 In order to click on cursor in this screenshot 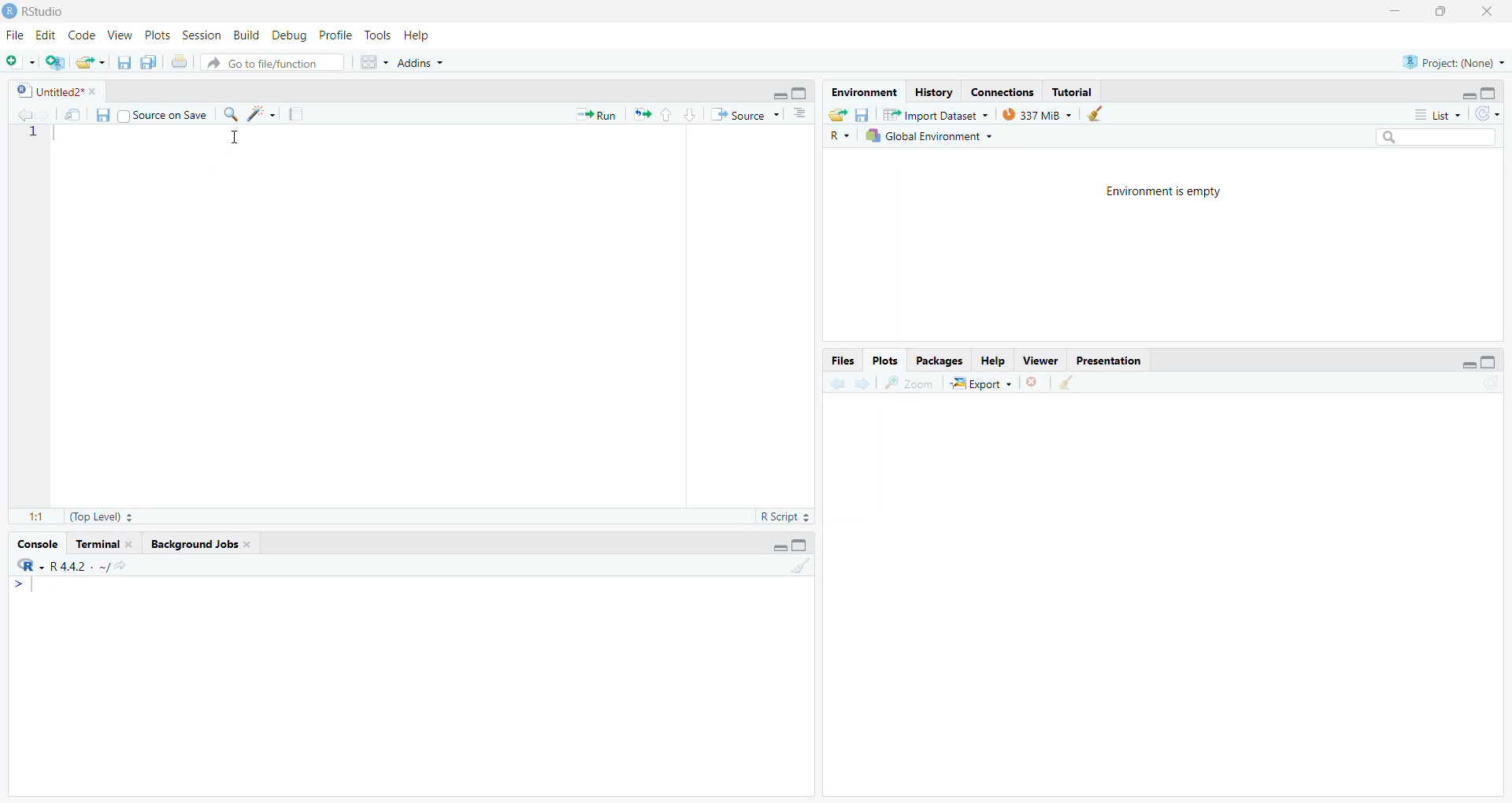, I will do `click(237, 140)`.